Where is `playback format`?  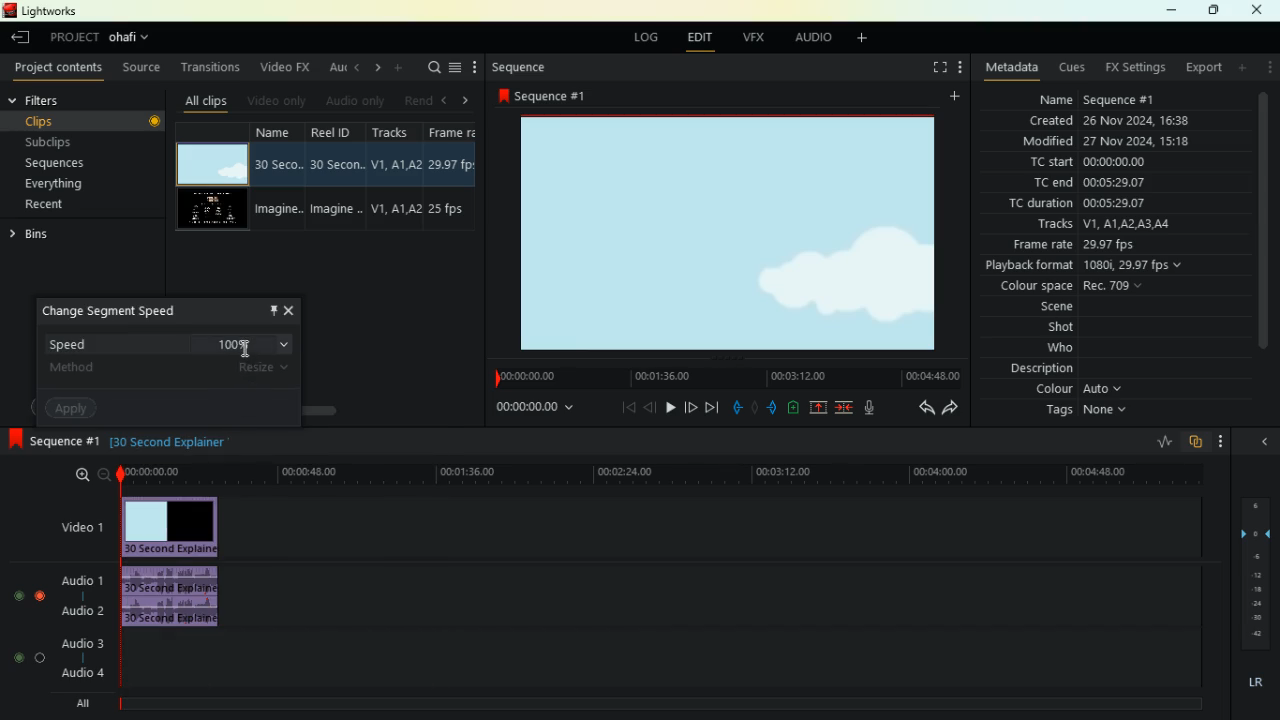 playback format is located at coordinates (1096, 267).